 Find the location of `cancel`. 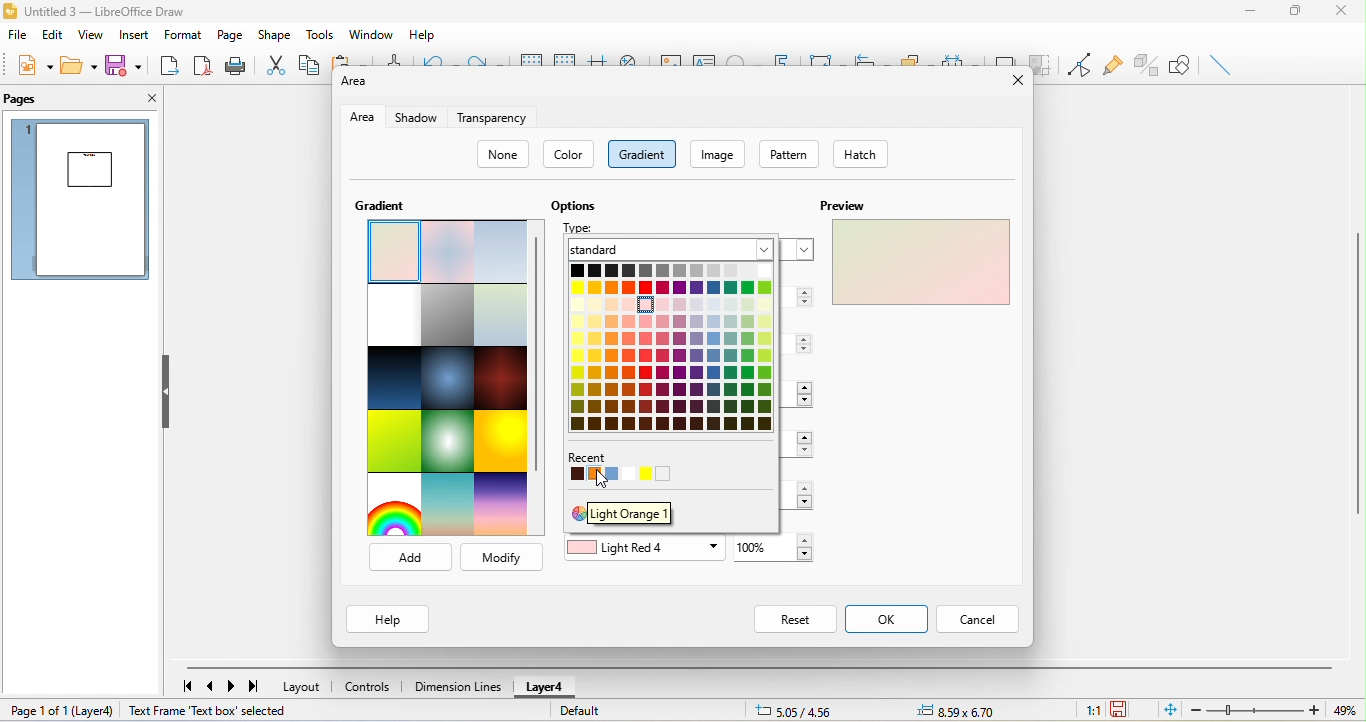

cancel is located at coordinates (977, 620).